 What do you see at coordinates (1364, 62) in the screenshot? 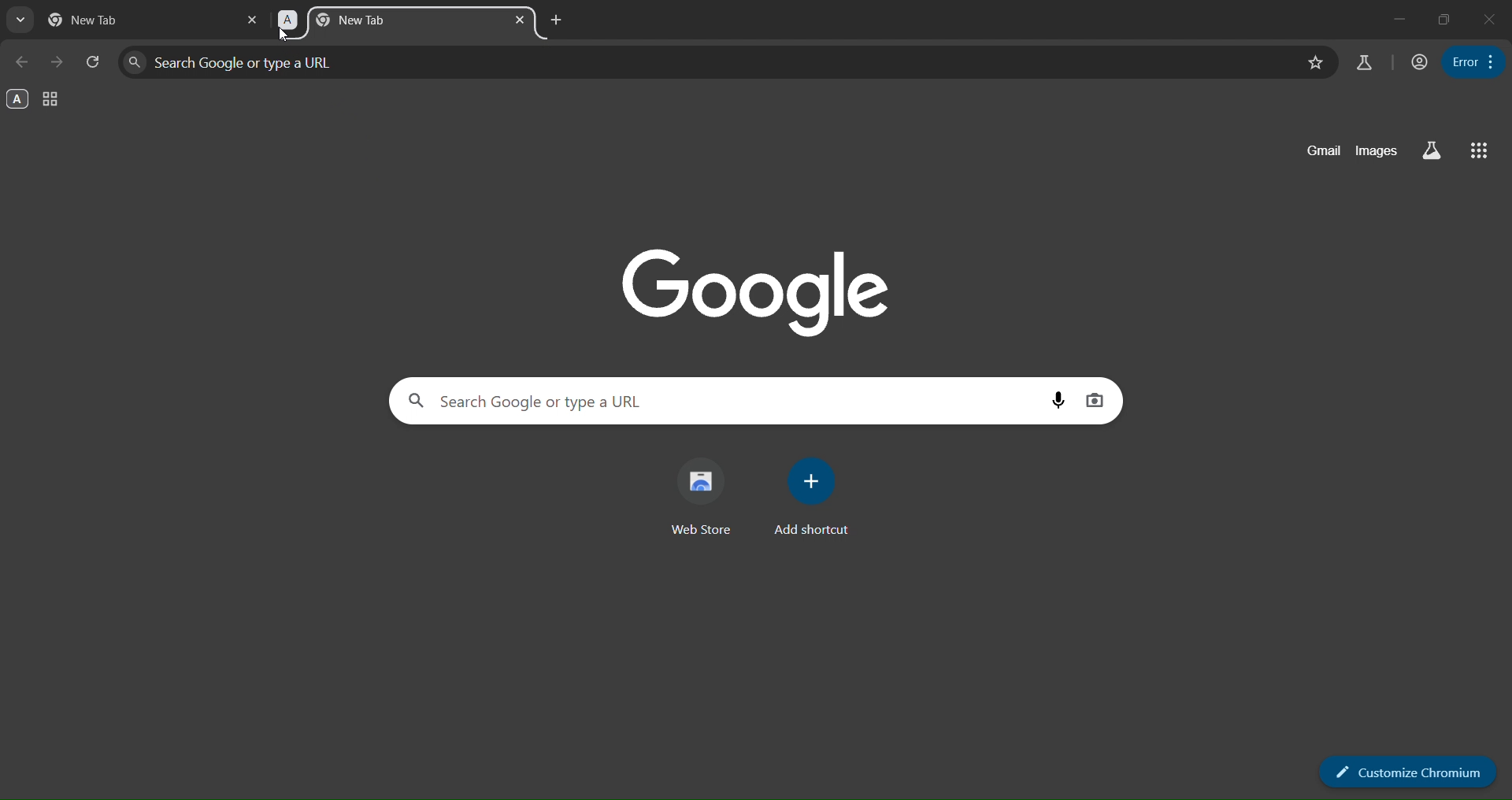
I see `search labs` at bounding box center [1364, 62].